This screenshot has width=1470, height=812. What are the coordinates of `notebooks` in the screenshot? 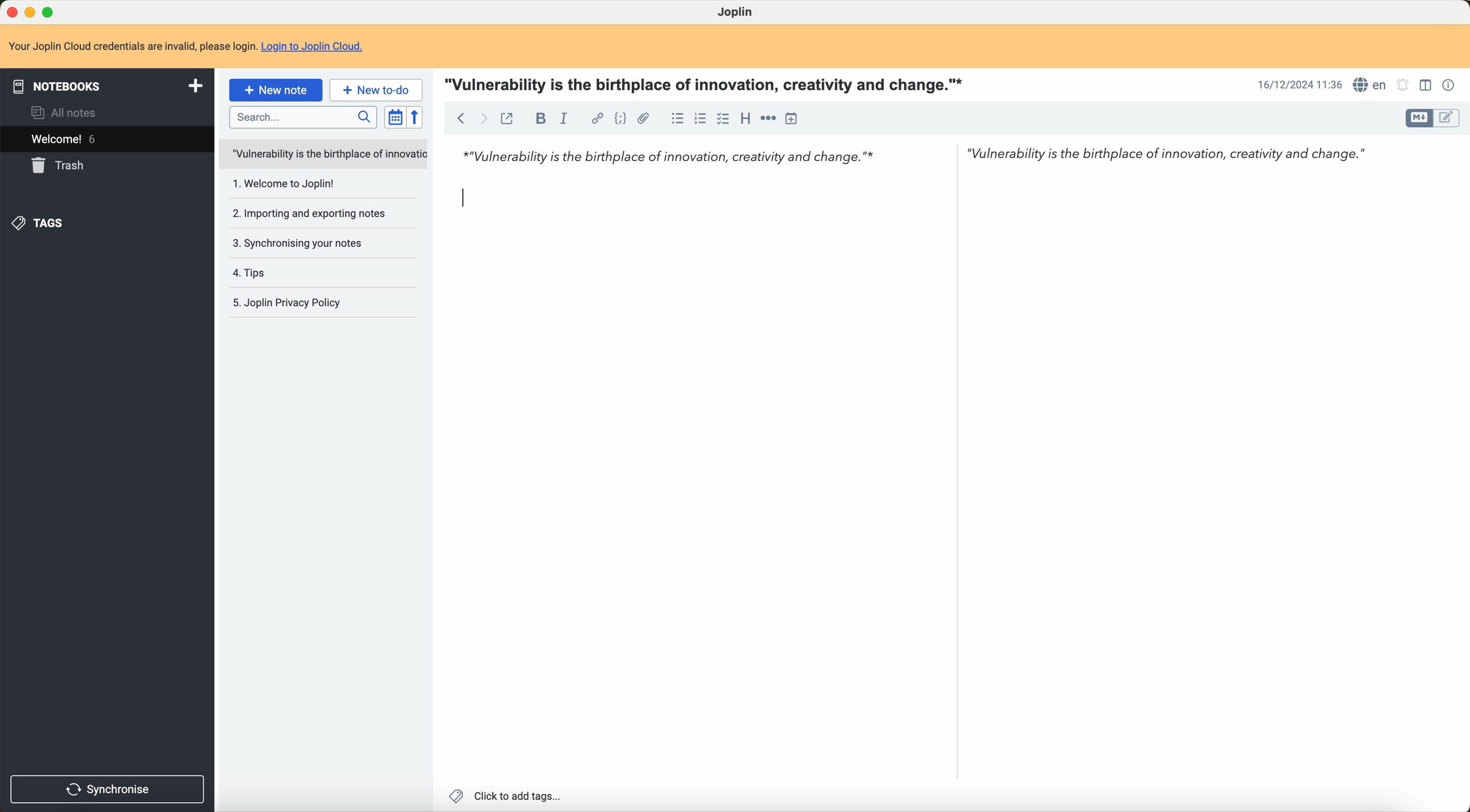 It's located at (105, 85).